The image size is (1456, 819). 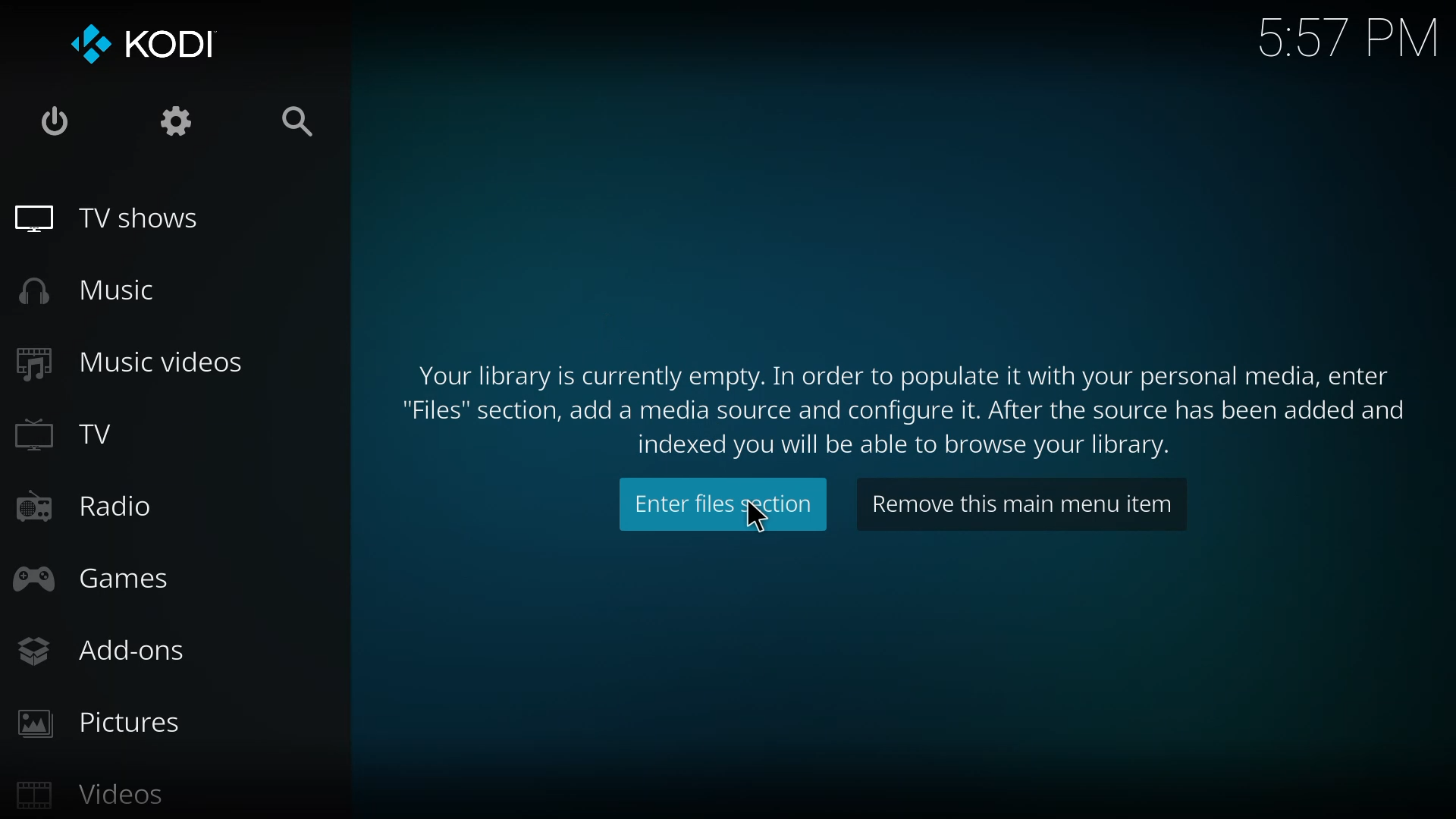 What do you see at coordinates (98, 581) in the screenshot?
I see `games` at bounding box center [98, 581].